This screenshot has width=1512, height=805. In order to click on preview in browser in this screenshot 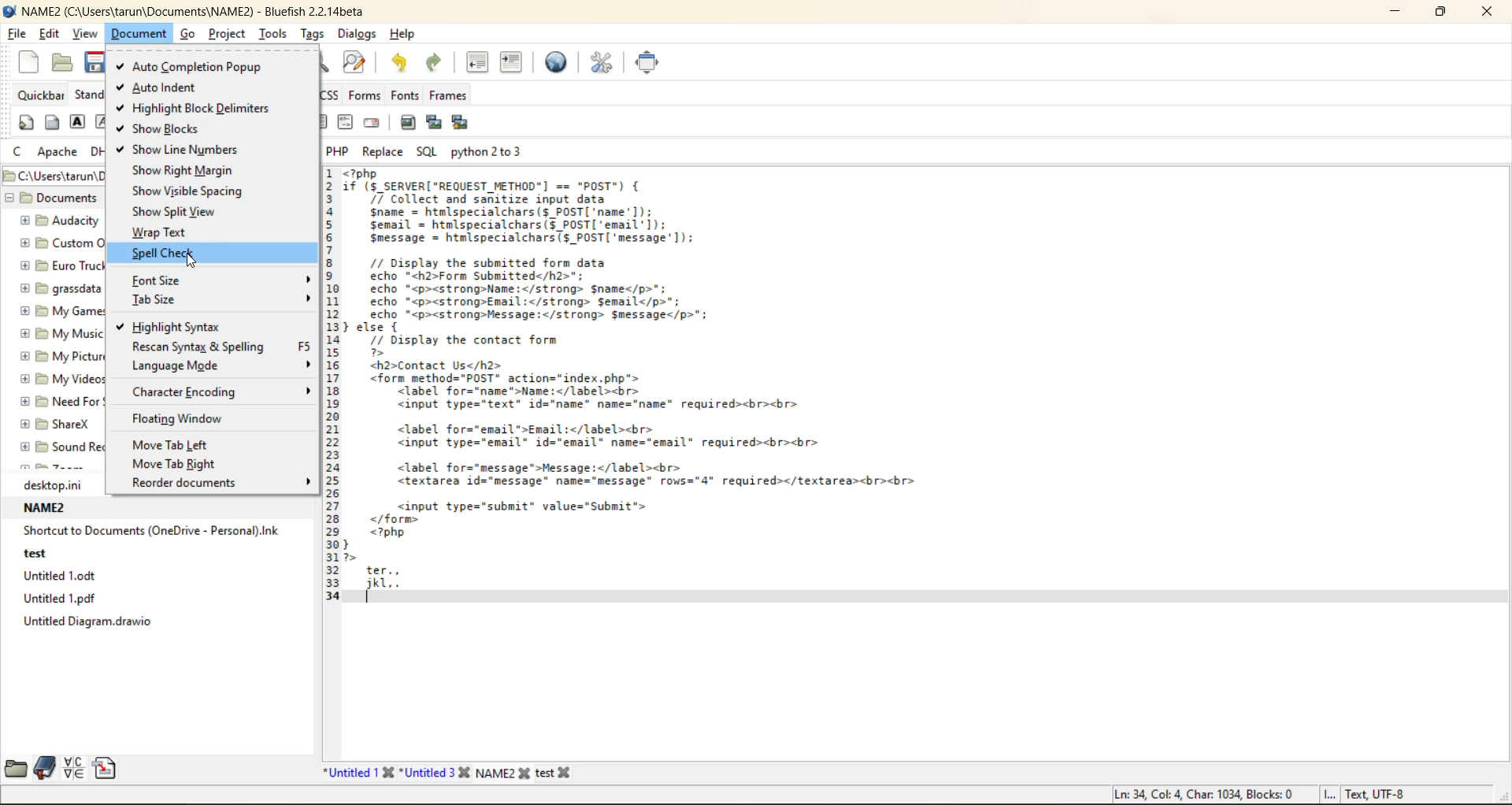, I will do `click(556, 60)`.